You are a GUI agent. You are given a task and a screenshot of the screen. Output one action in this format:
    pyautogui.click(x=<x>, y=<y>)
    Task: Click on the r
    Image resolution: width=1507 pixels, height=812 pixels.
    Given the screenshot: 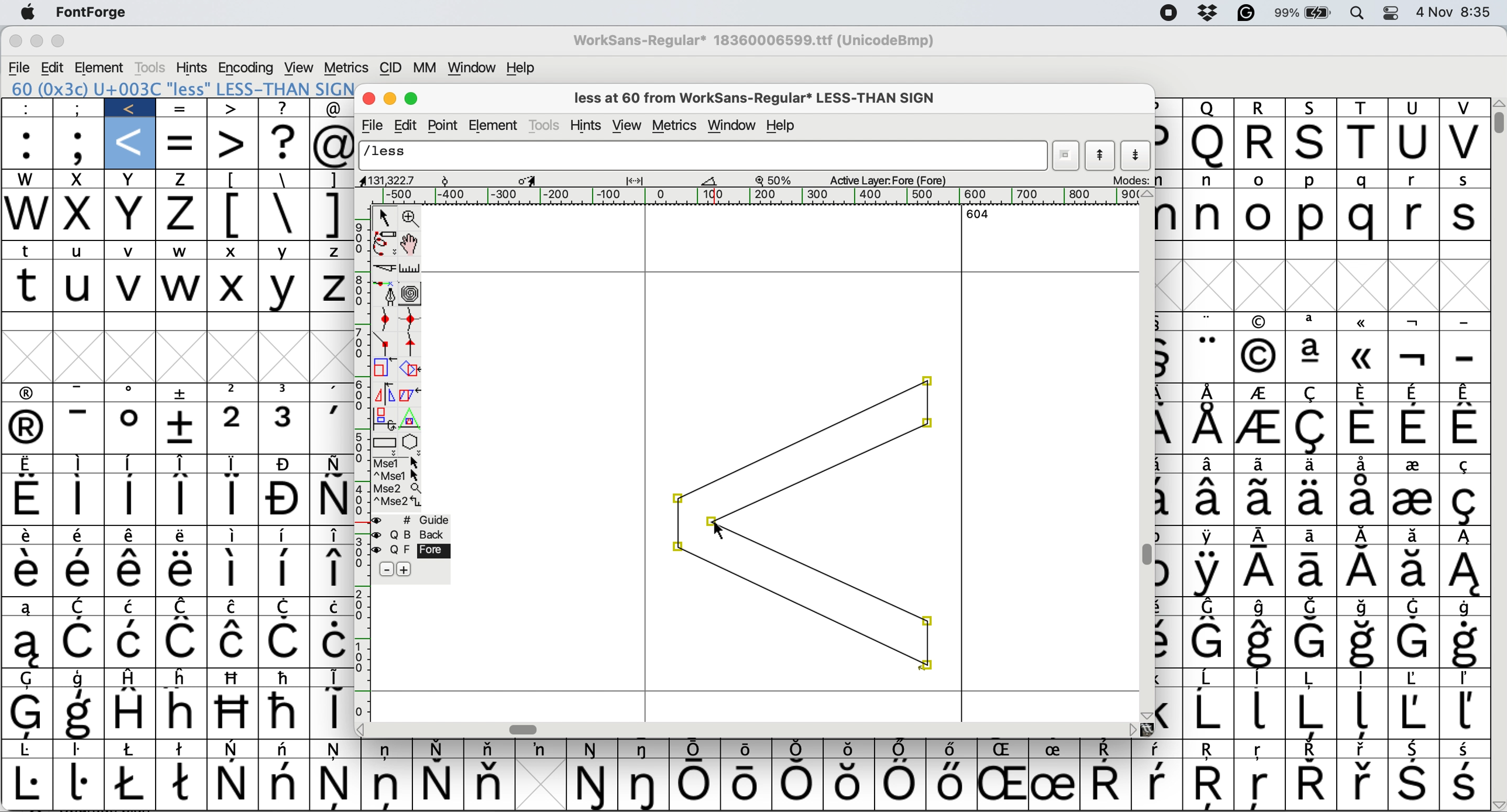 What is the action you would take?
    pyautogui.click(x=1261, y=108)
    